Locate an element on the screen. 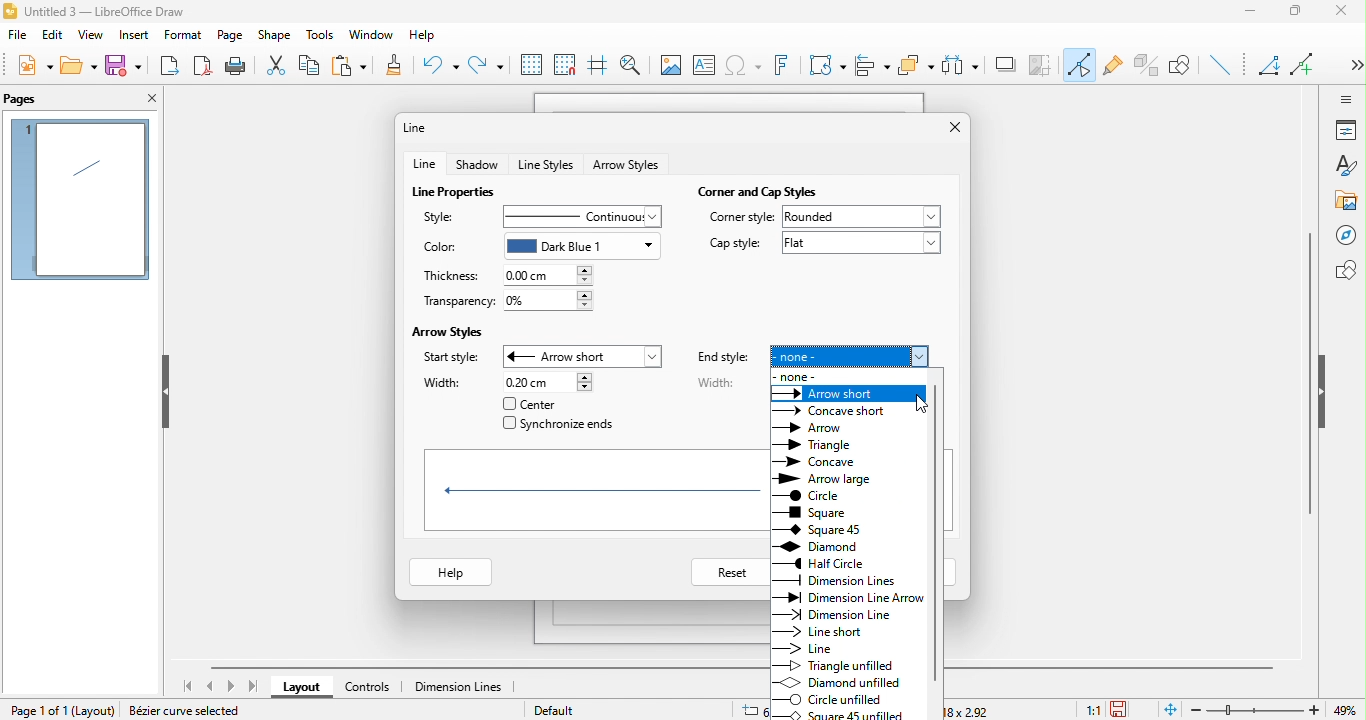  edit is located at coordinates (53, 38).